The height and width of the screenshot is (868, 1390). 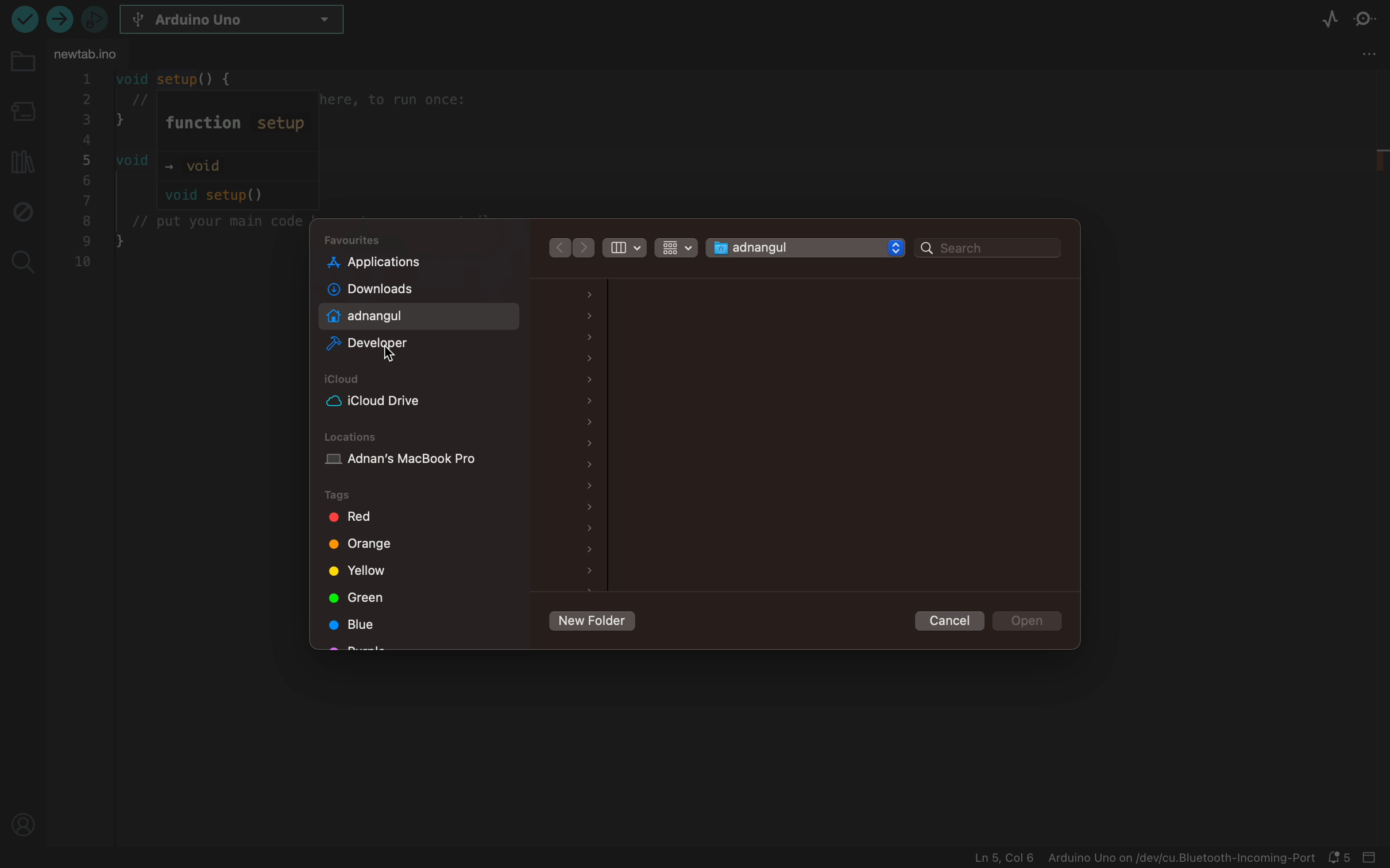 What do you see at coordinates (1370, 52) in the screenshot?
I see `setting` at bounding box center [1370, 52].